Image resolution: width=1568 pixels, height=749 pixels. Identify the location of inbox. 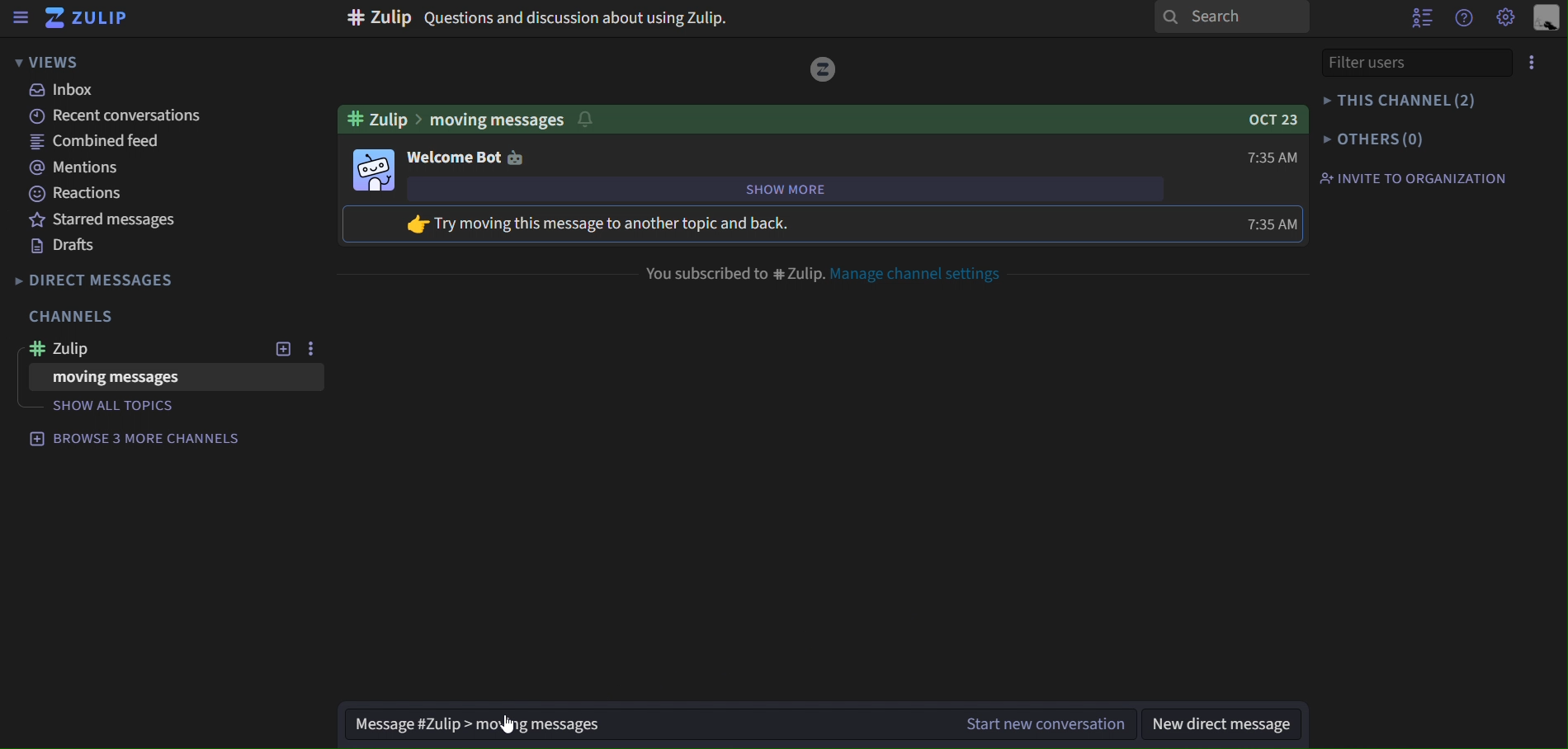
(68, 92).